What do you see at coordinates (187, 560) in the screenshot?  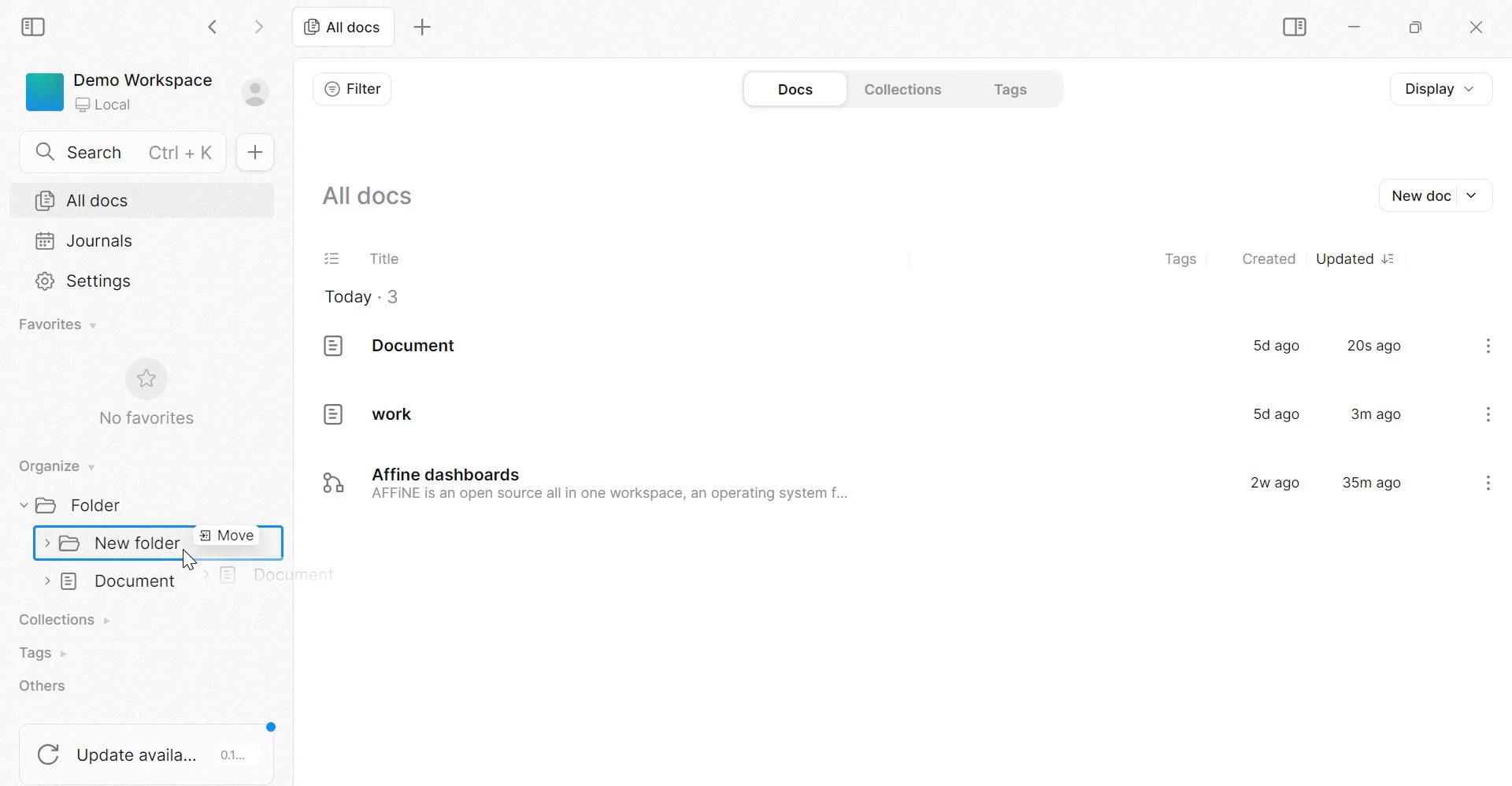 I see `cursor` at bounding box center [187, 560].